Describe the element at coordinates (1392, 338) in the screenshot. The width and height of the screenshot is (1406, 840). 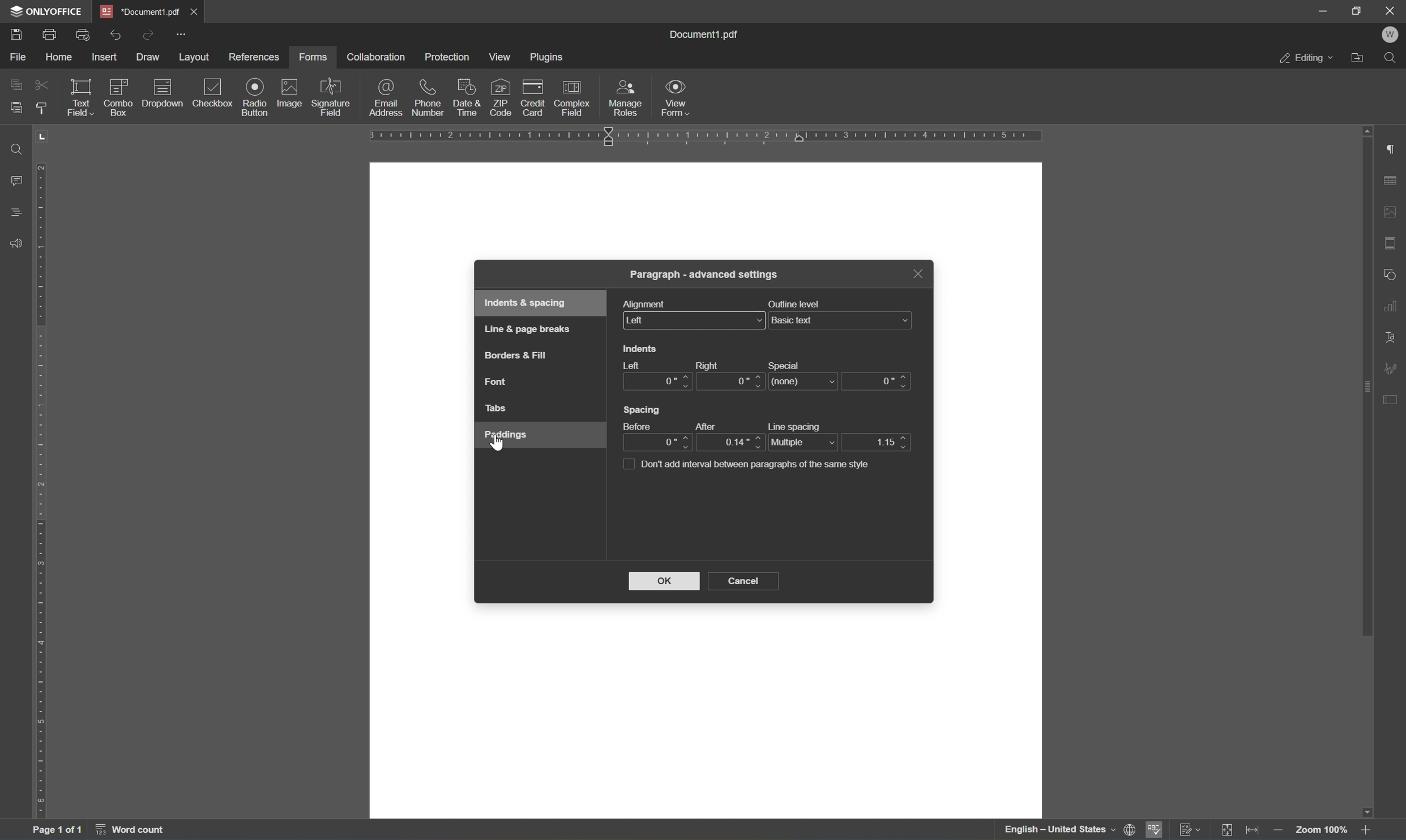
I see `text art settings` at that location.